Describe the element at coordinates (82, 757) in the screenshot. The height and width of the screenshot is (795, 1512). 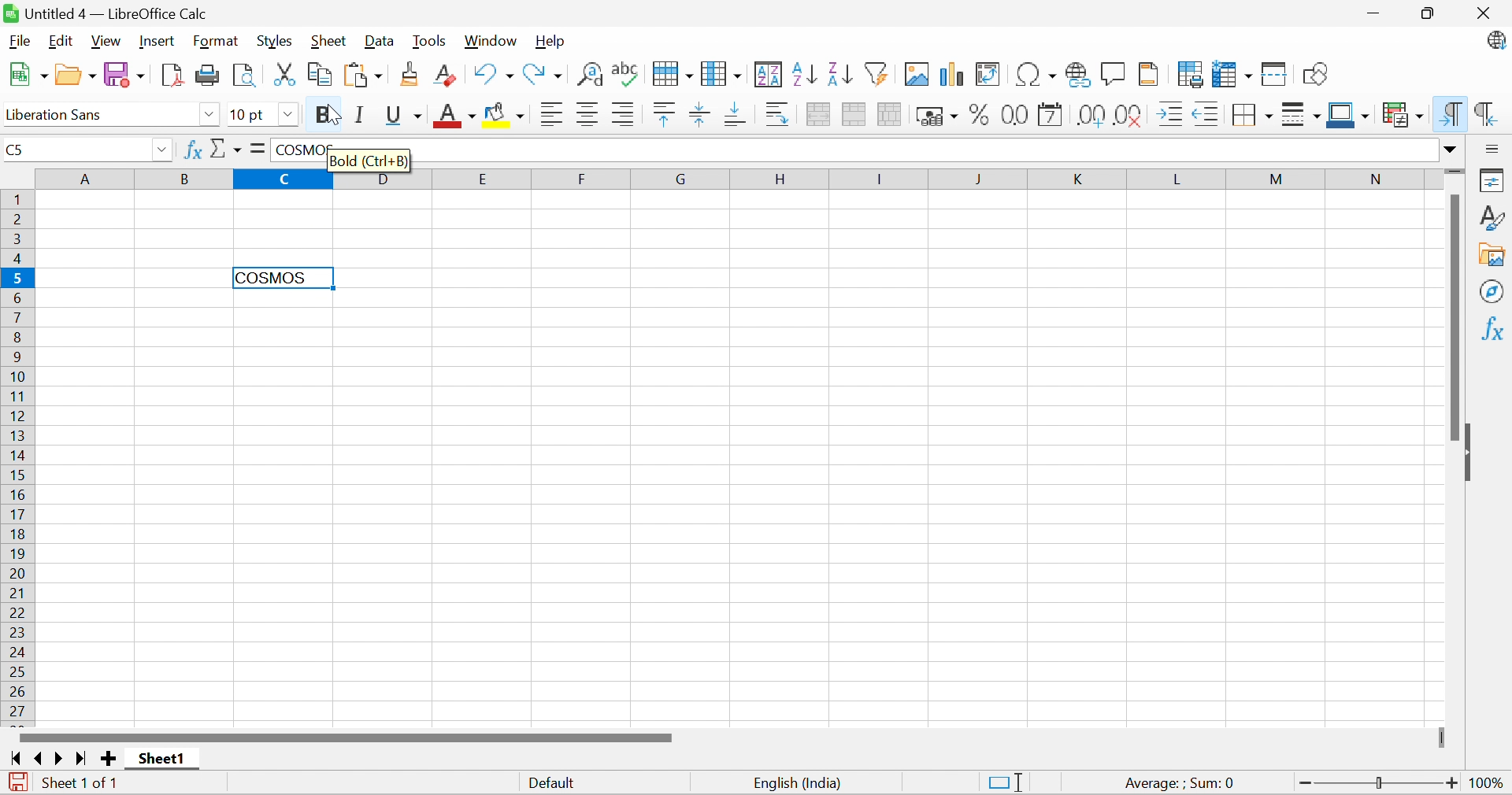
I see `Scroll To Last Sheet` at that location.